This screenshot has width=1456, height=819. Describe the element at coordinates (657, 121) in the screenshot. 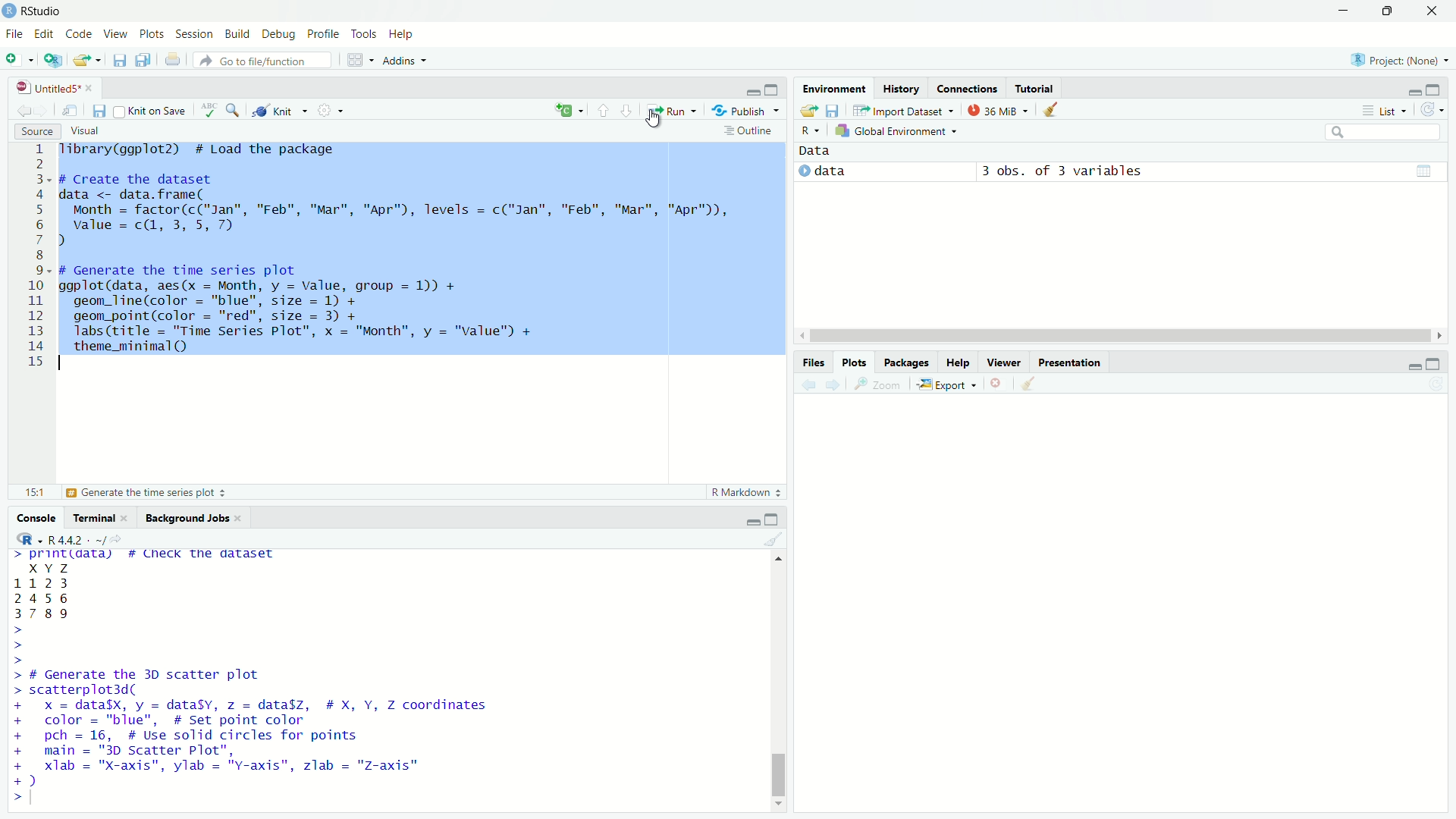

I see `cursor` at that location.